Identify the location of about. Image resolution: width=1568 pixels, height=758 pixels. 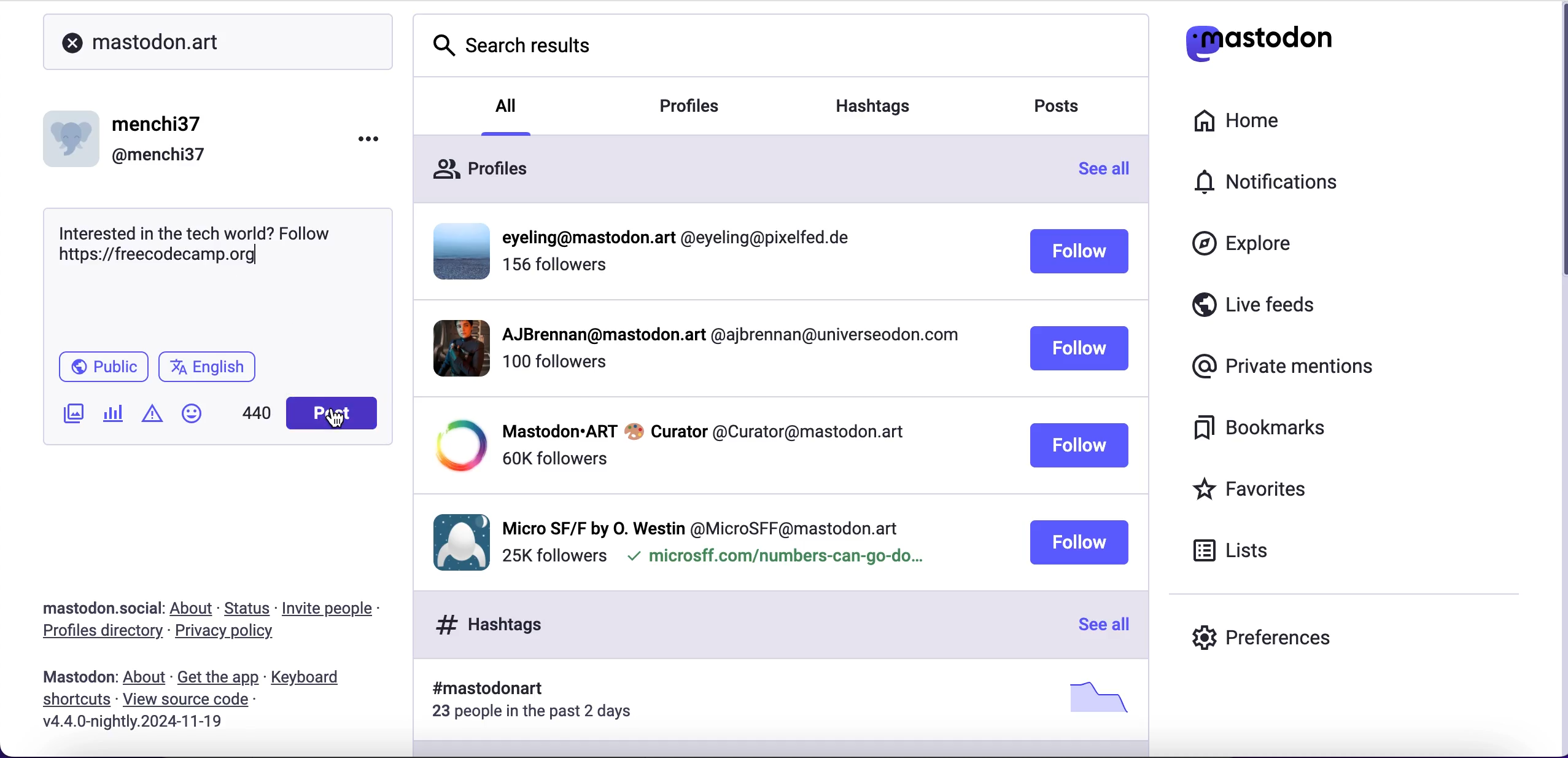
(192, 607).